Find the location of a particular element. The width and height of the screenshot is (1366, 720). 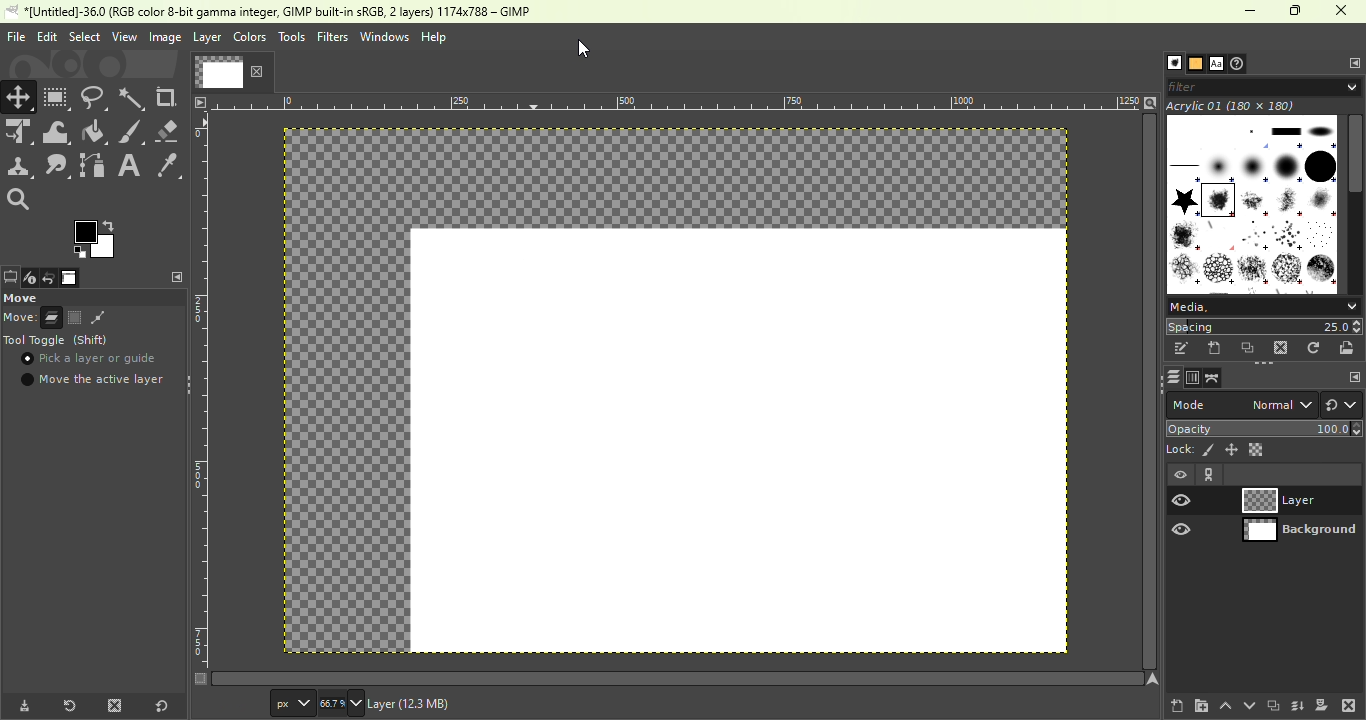

Smudge tool is located at coordinates (60, 166).